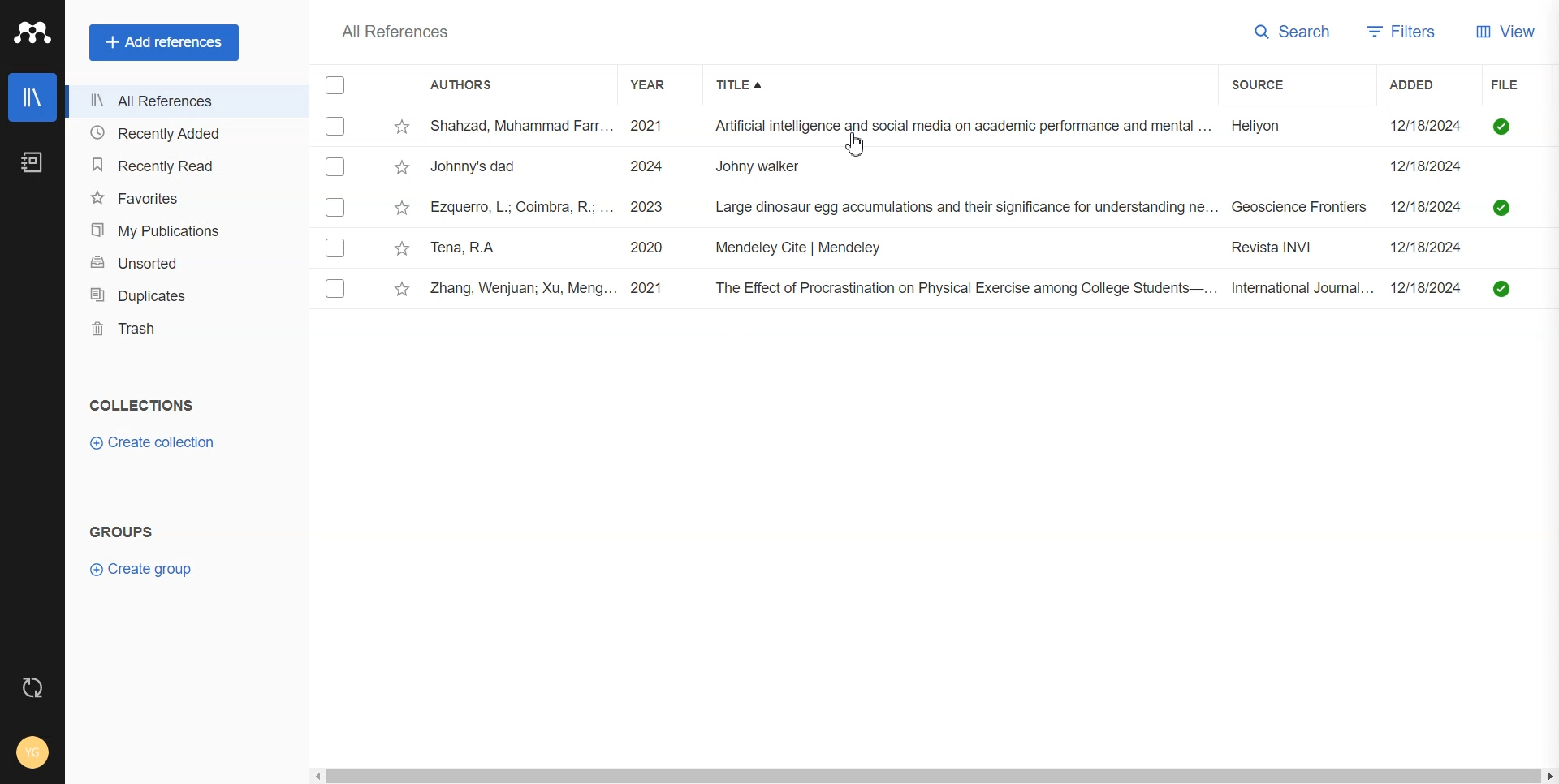 This screenshot has width=1559, height=784. Describe the element at coordinates (173, 101) in the screenshot. I see `All References` at that location.